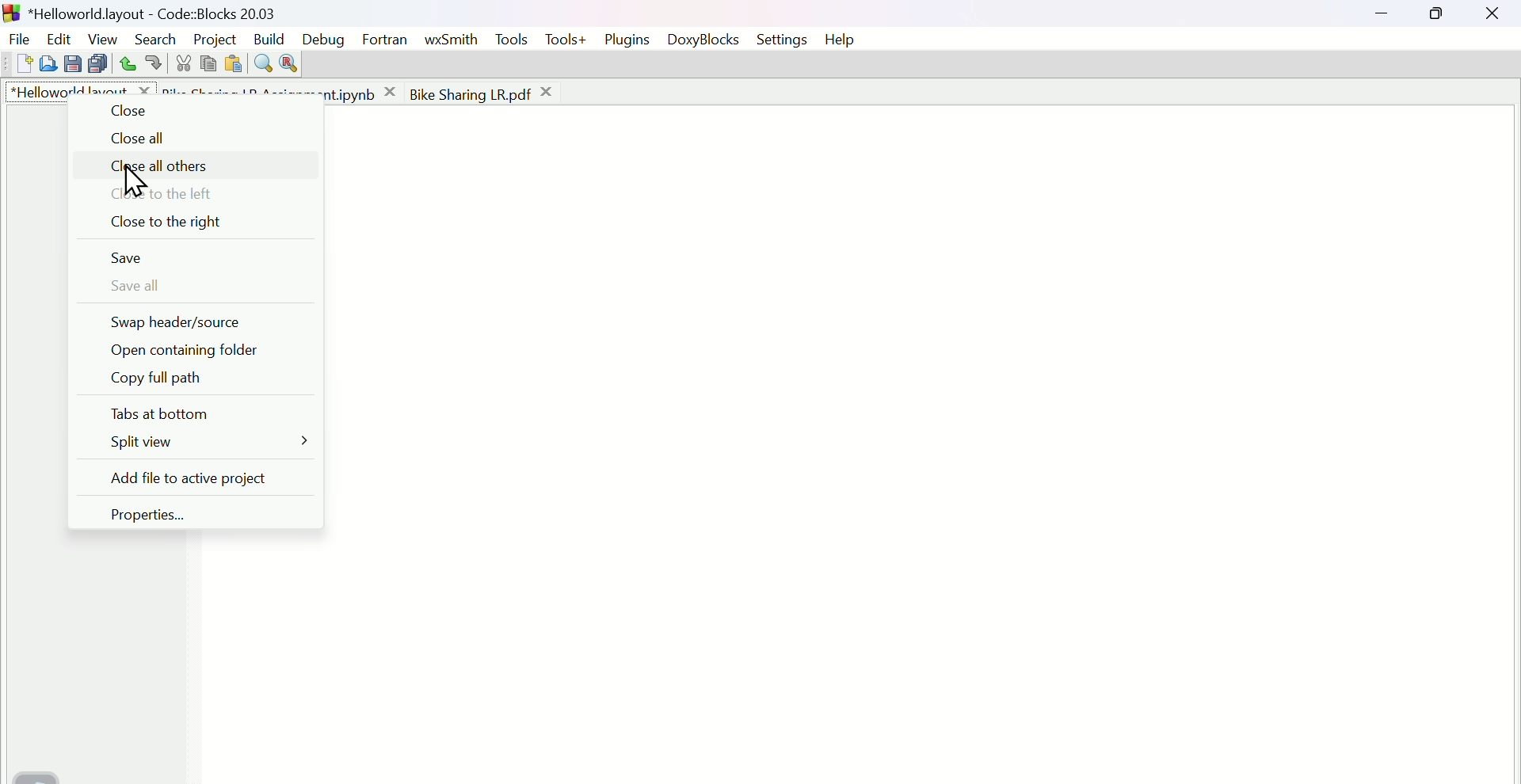 This screenshot has height=784, width=1521. What do you see at coordinates (181, 477) in the screenshot?
I see `Add file to active project` at bounding box center [181, 477].